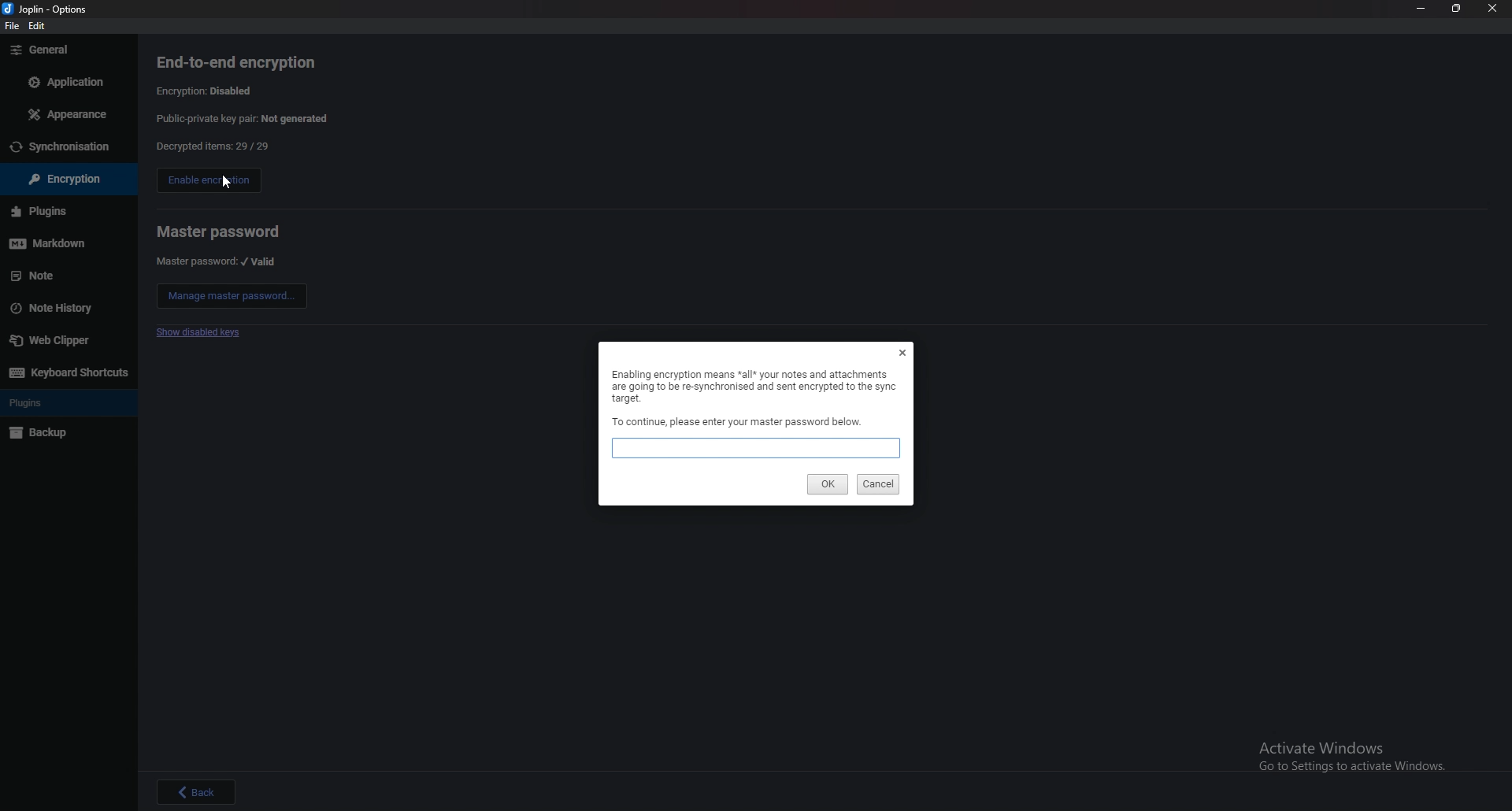 The width and height of the screenshot is (1512, 811). Describe the element at coordinates (50, 309) in the screenshot. I see `` at that location.